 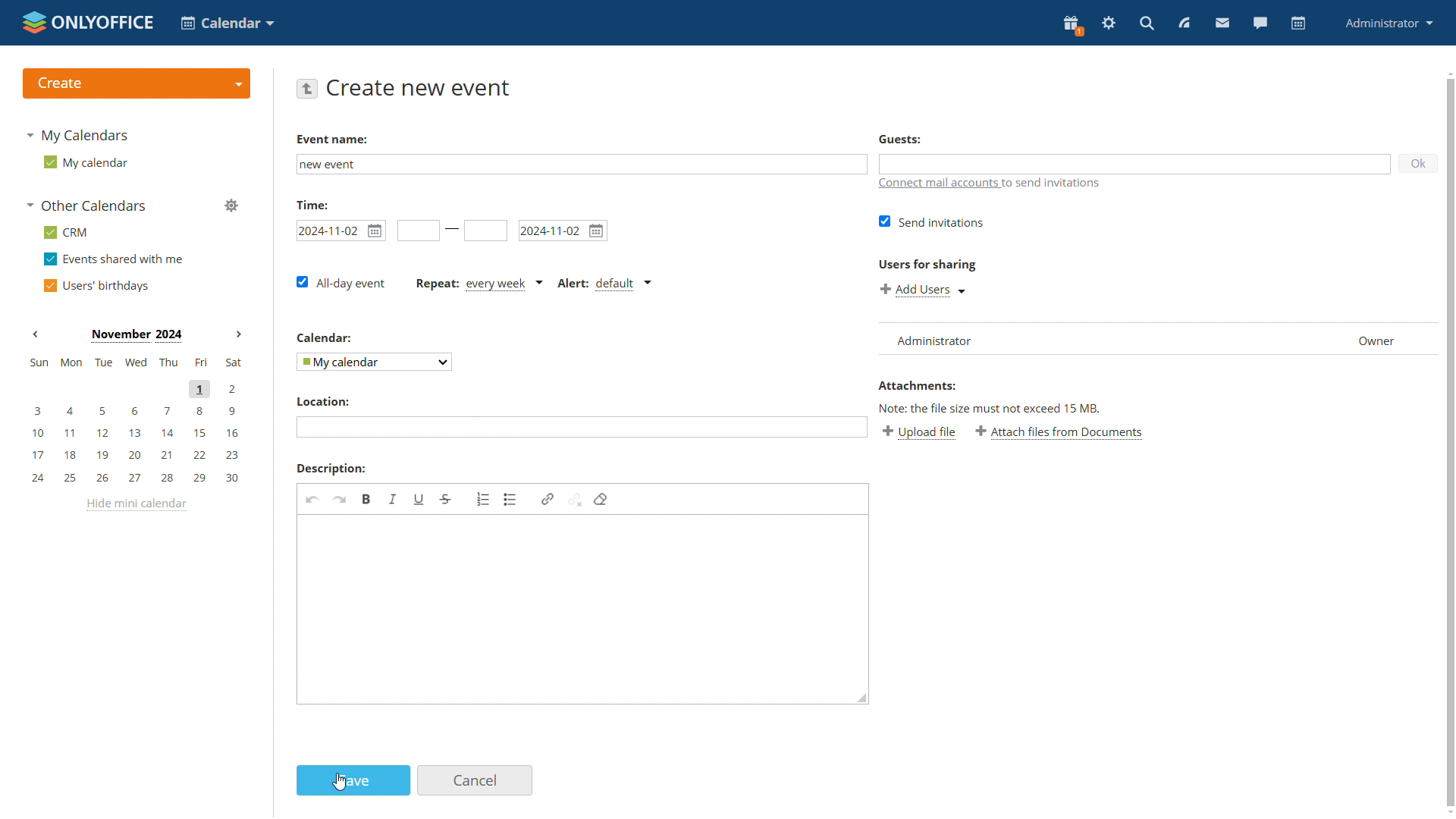 I want to click on connect mail accounts, so click(x=990, y=184).